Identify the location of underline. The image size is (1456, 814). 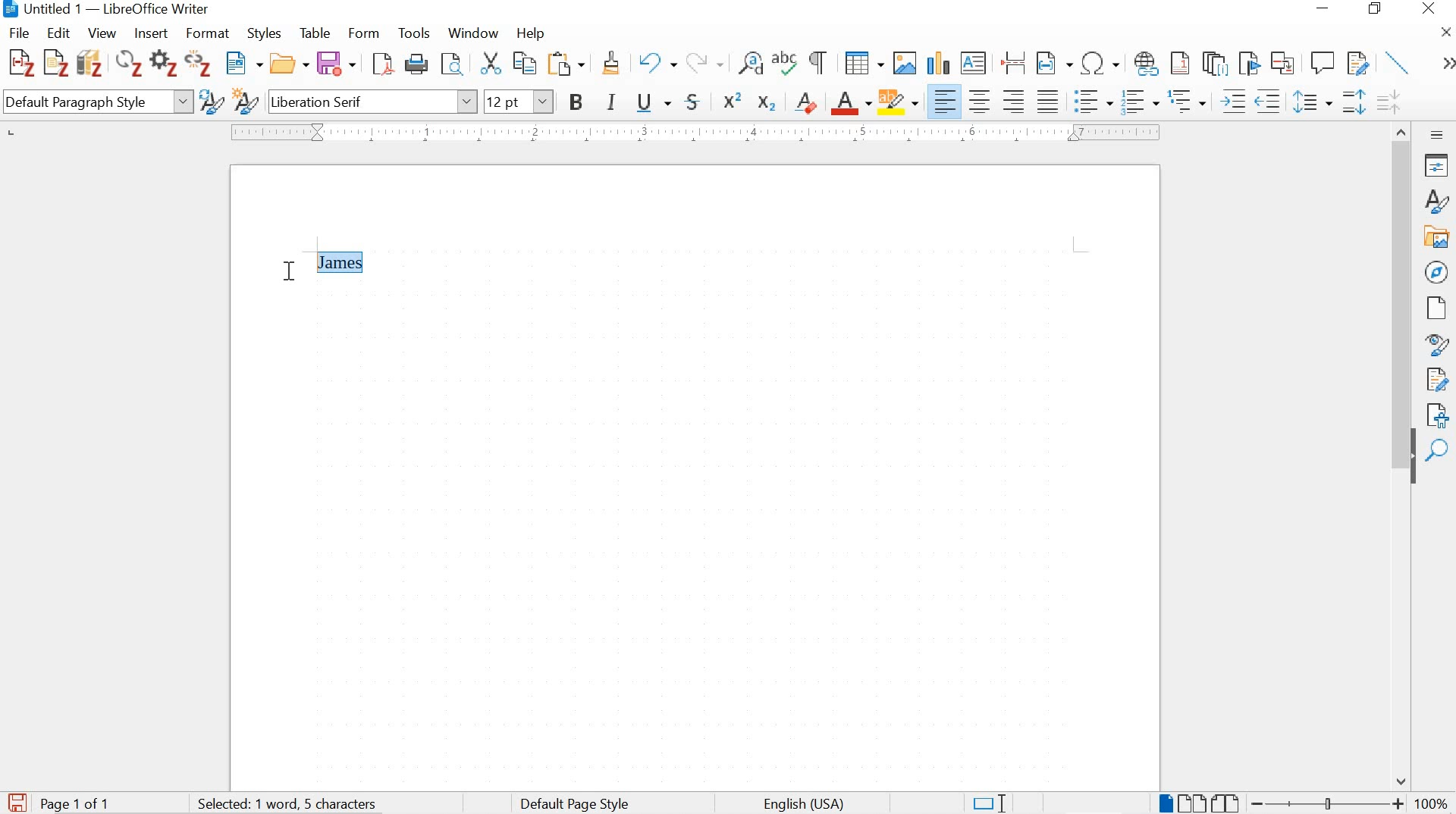
(654, 104).